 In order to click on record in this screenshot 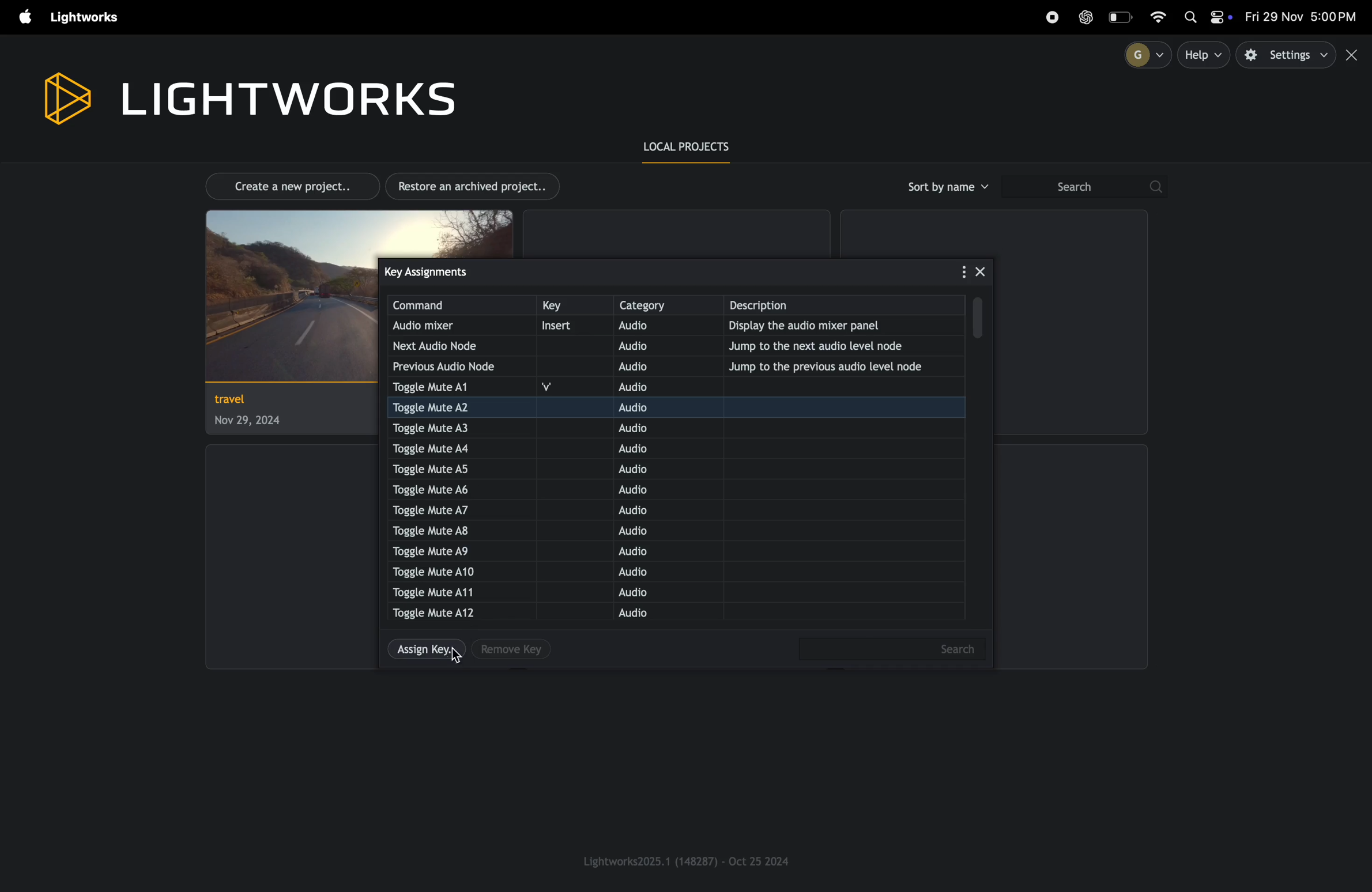, I will do `click(1051, 17)`.